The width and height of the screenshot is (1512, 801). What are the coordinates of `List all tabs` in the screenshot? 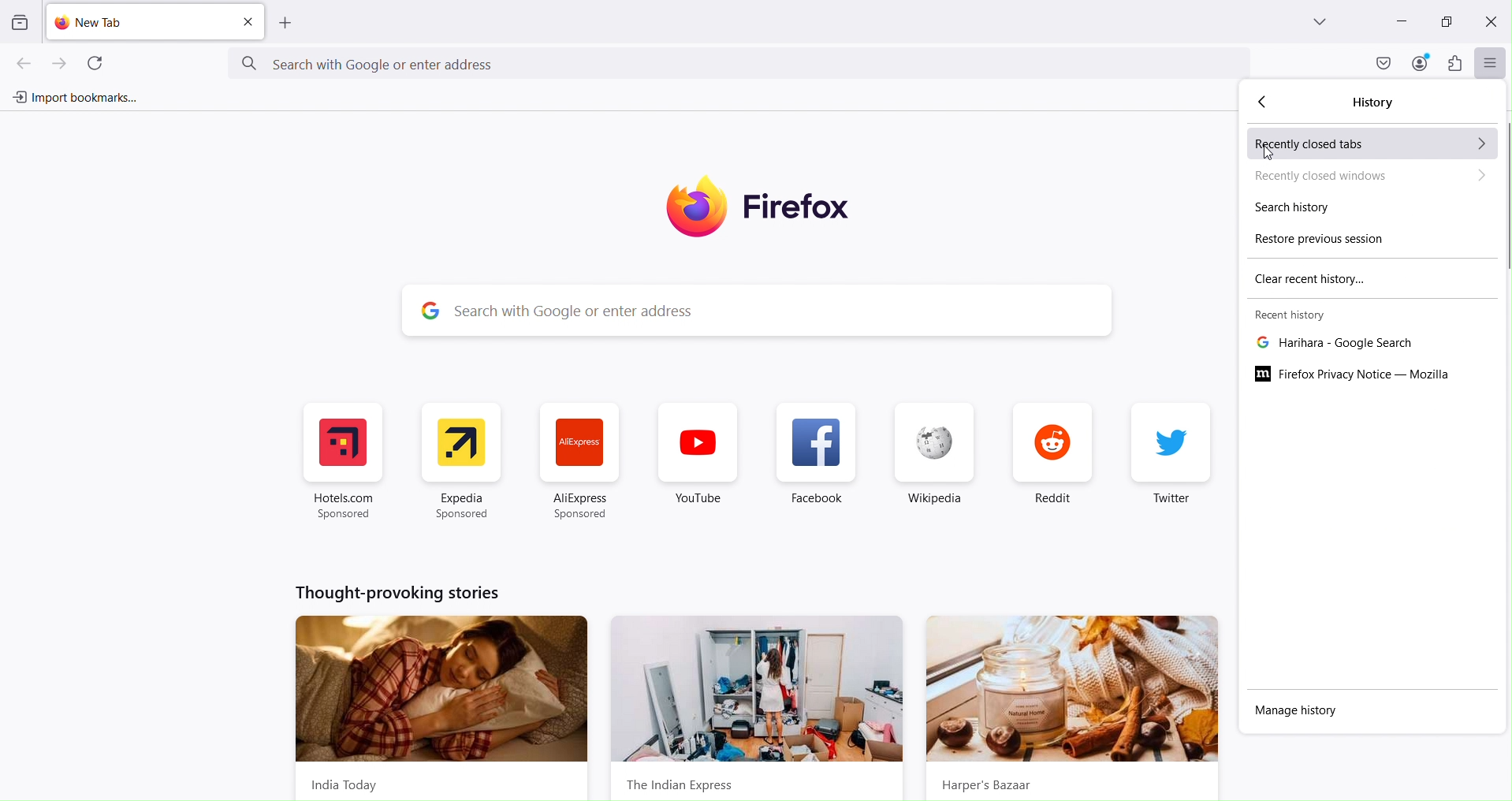 It's located at (1322, 22).